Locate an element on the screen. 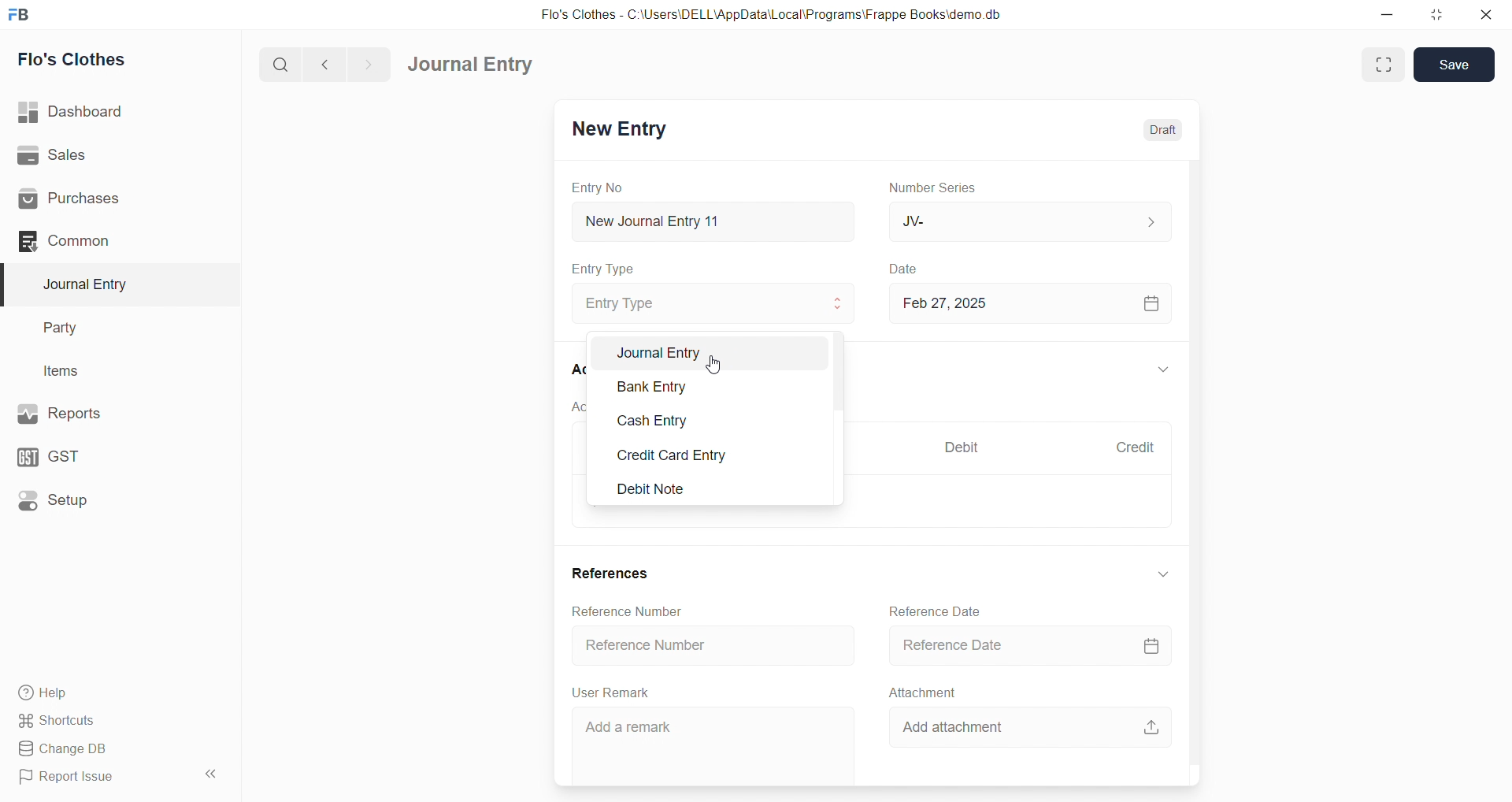 The height and width of the screenshot is (802, 1512). Entry Type is located at coordinates (715, 303).